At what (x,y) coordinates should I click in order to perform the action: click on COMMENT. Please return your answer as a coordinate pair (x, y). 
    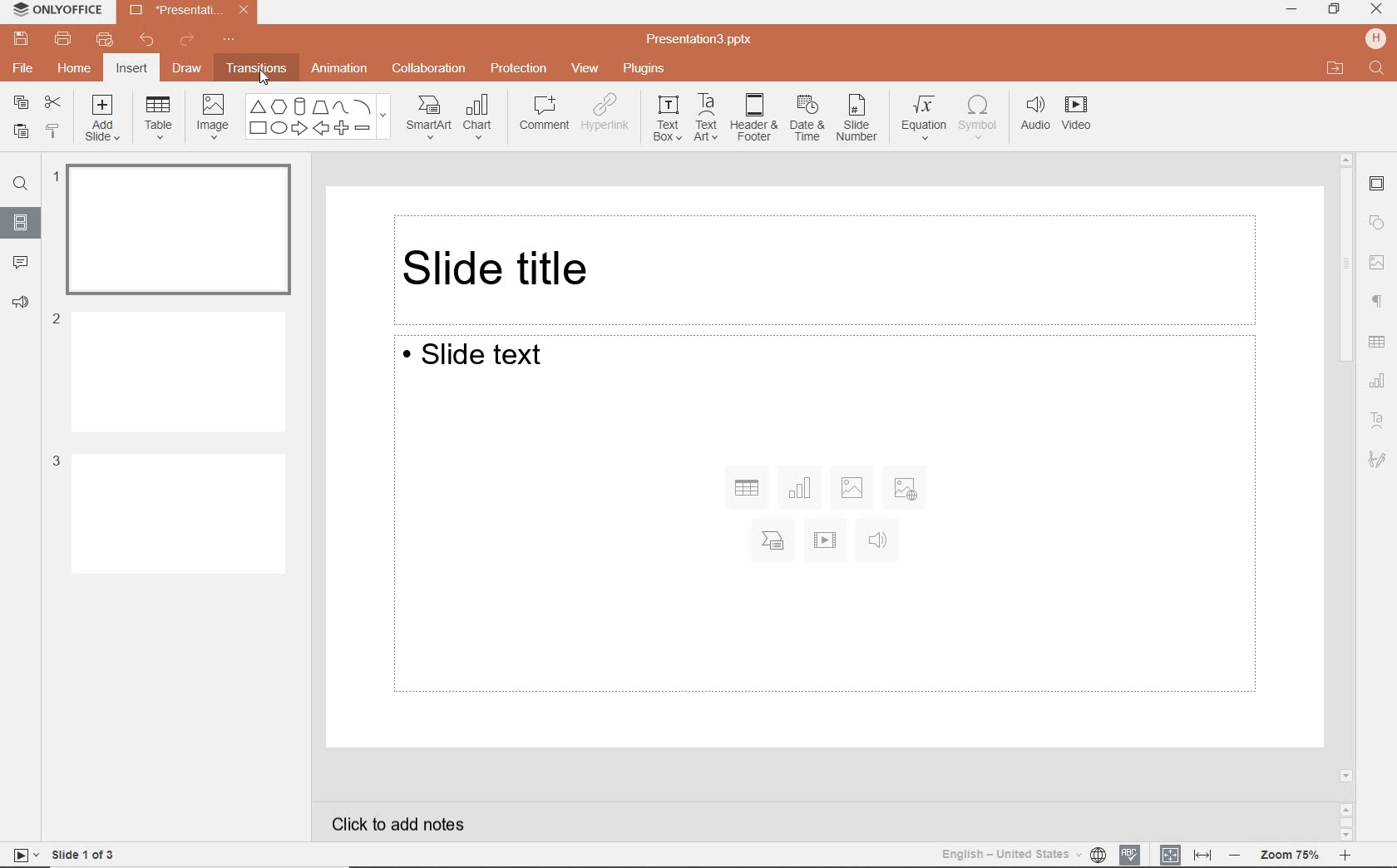
    Looking at the image, I should click on (542, 119).